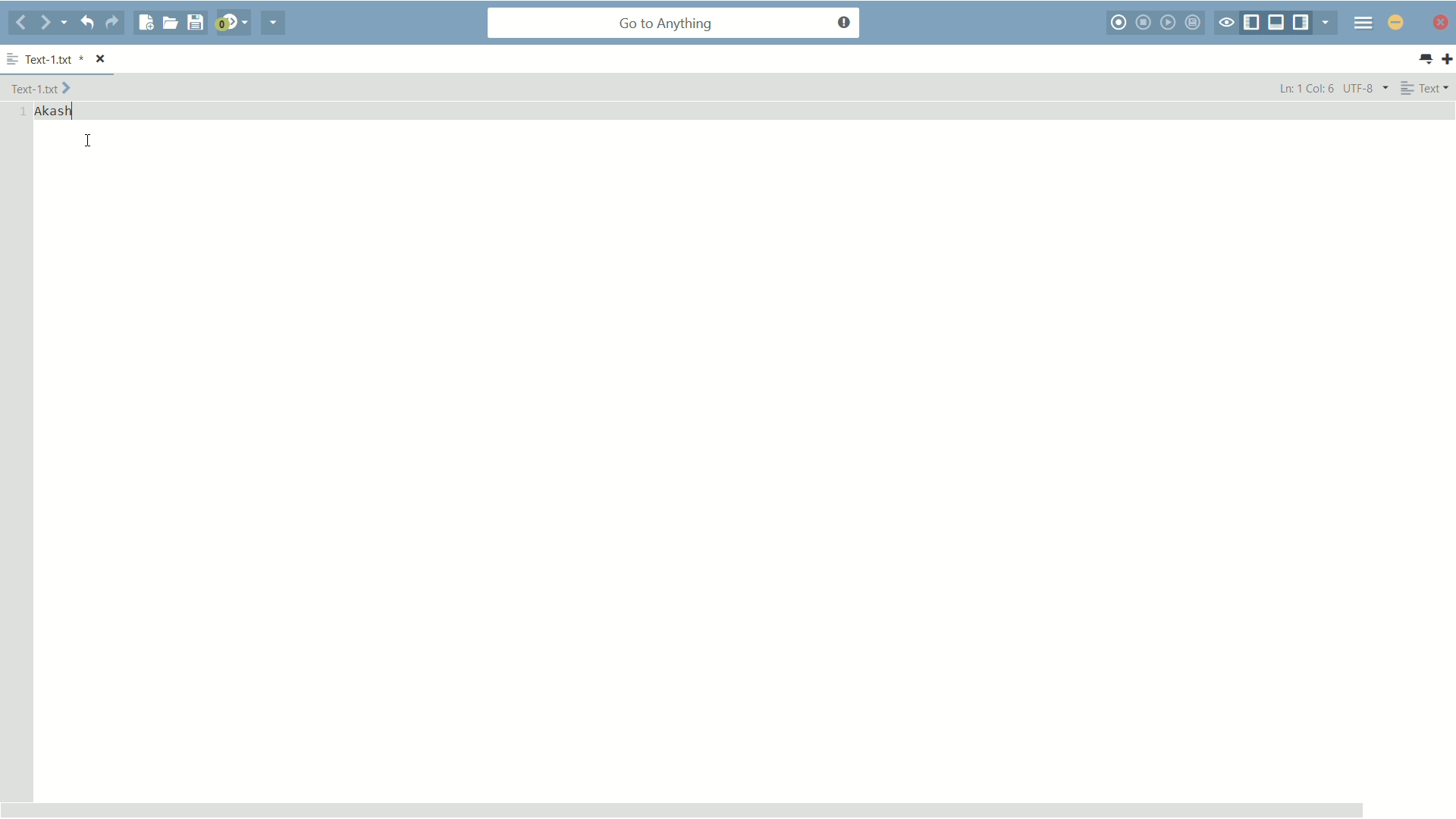 The image size is (1456, 819). What do you see at coordinates (42, 87) in the screenshot?
I see `text-1 File` at bounding box center [42, 87].